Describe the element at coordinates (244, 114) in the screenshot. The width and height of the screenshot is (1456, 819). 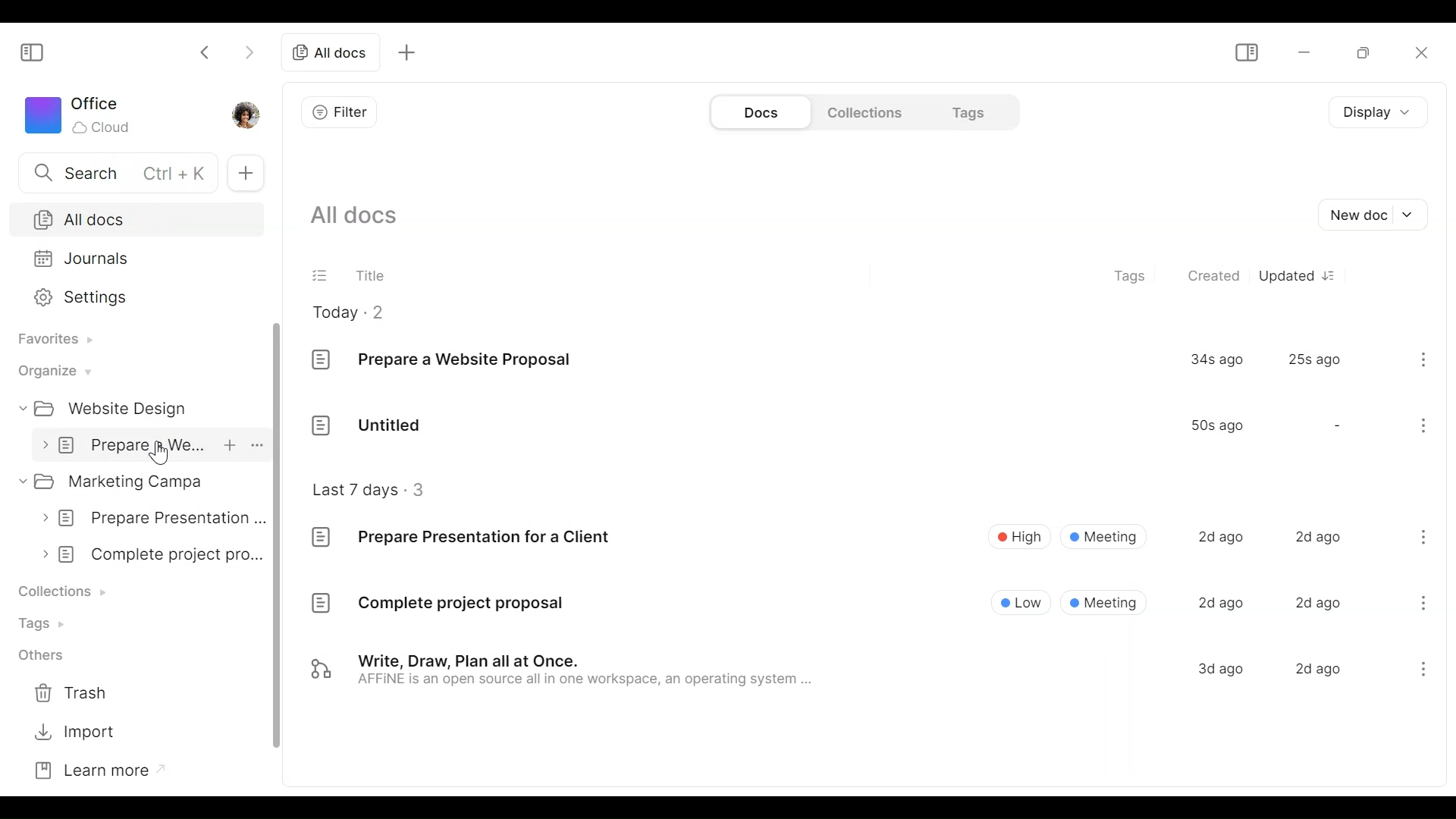
I see `Profile Photo` at that location.